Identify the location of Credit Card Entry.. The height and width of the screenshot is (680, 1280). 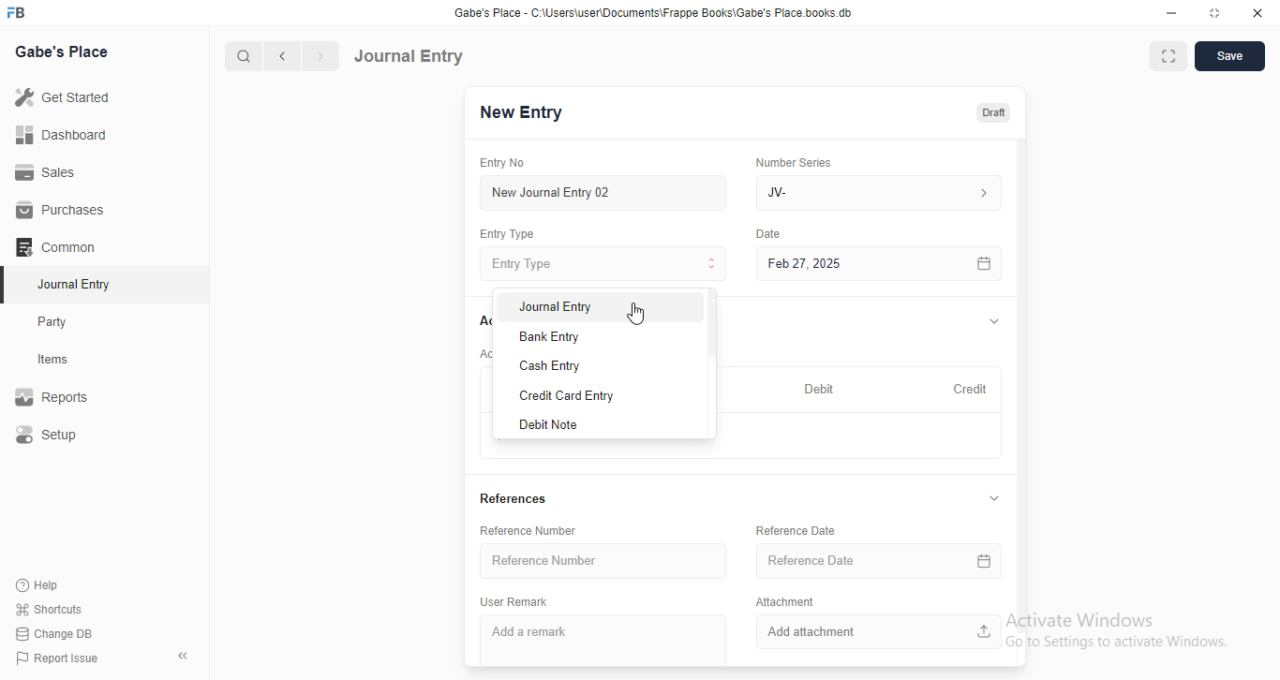
(571, 397).